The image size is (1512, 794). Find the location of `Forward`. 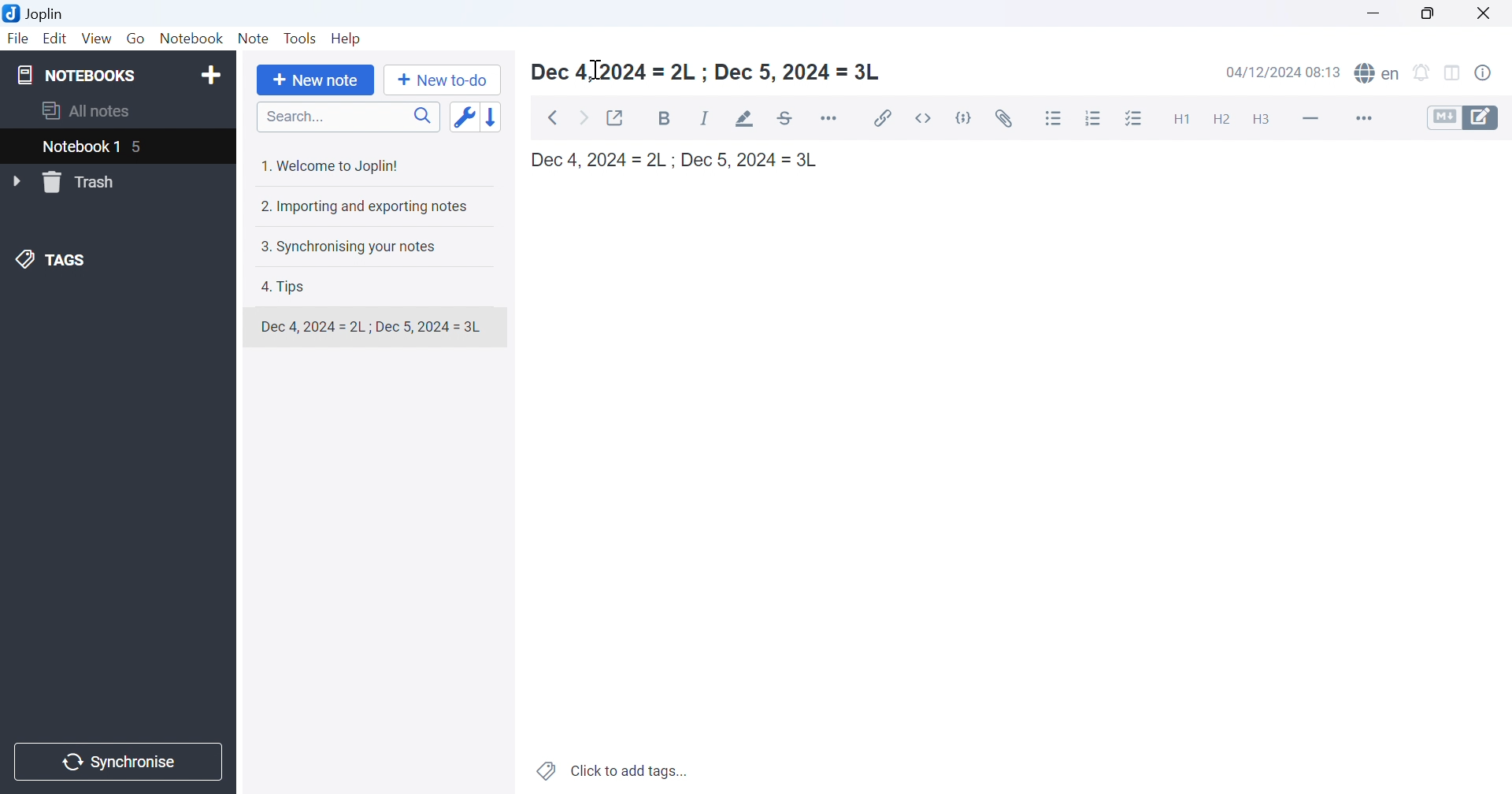

Forward is located at coordinates (584, 117).